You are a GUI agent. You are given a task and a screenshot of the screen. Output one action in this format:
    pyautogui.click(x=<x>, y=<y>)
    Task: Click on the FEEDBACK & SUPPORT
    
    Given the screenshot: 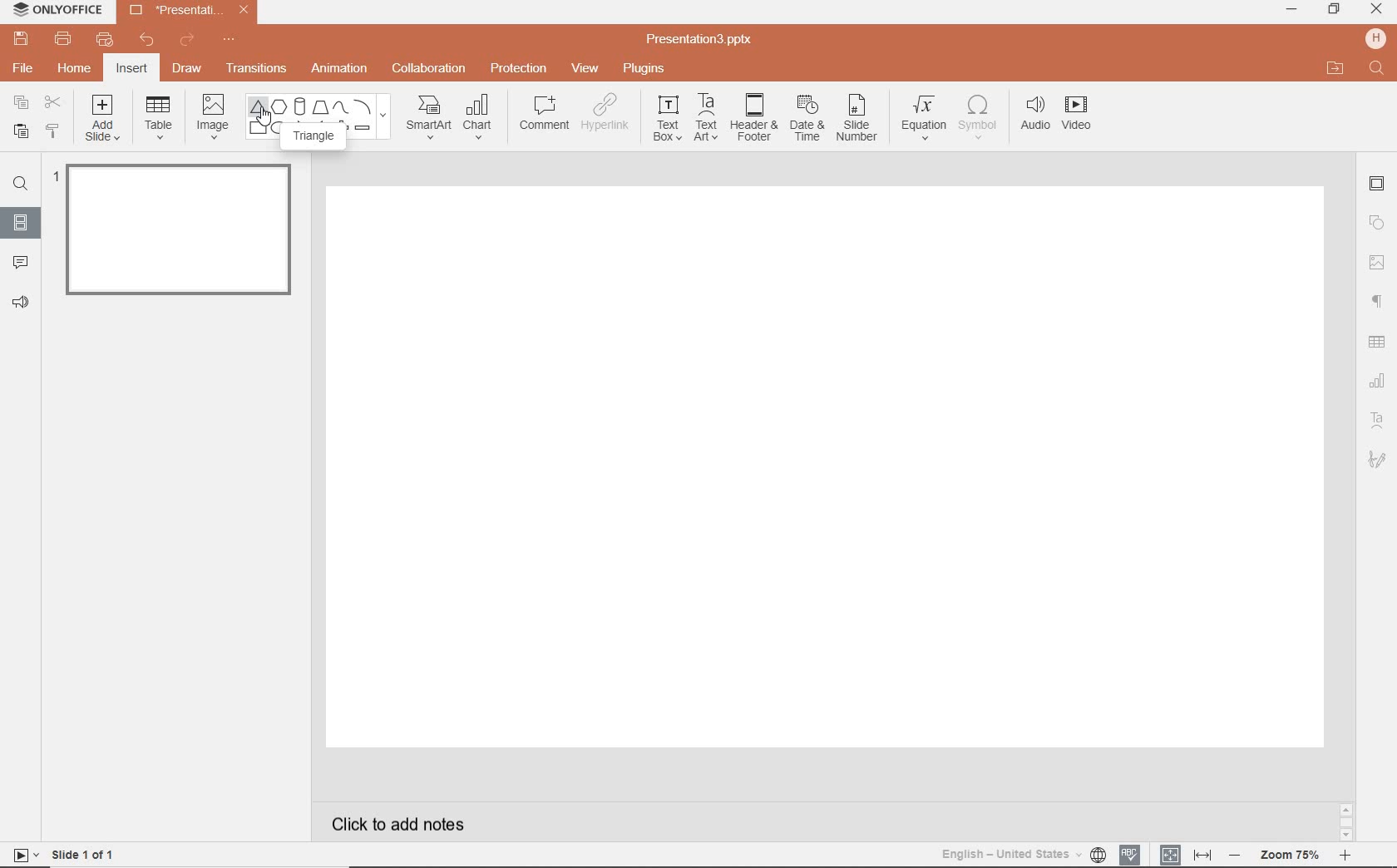 What is the action you would take?
    pyautogui.click(x=23, y=302)
    